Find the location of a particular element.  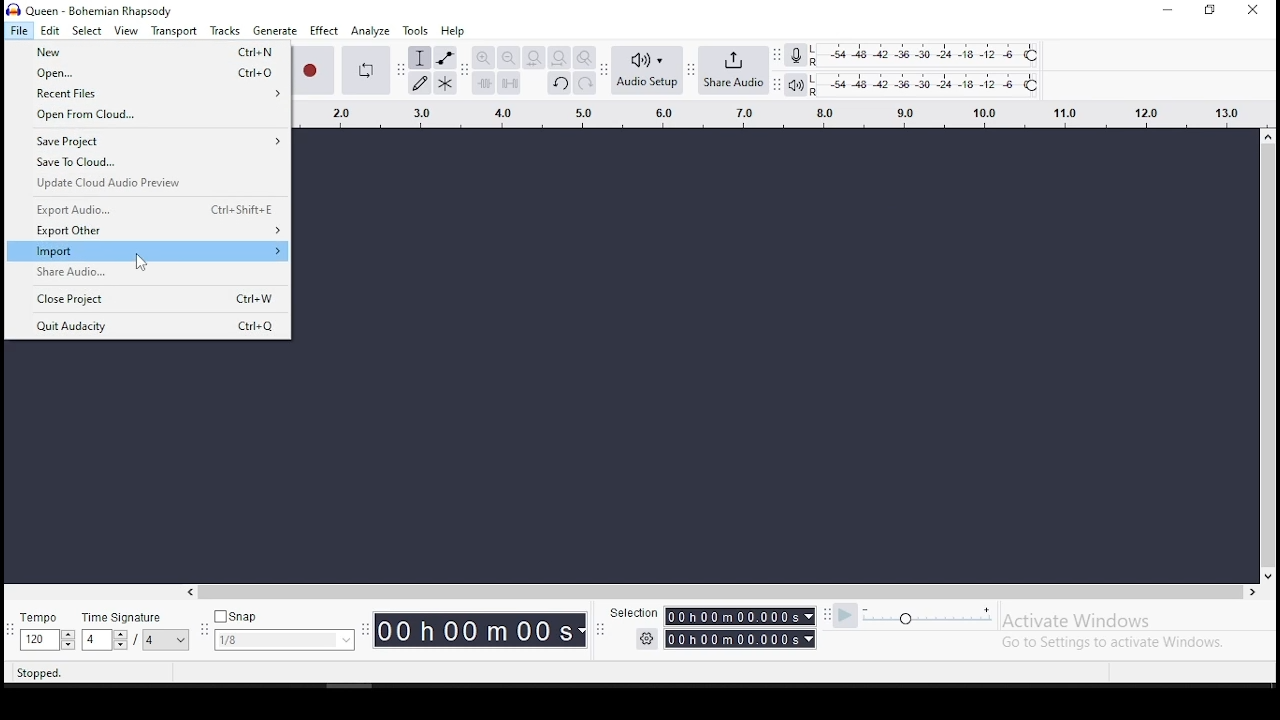

timeline is located at coordinates (769, 112).